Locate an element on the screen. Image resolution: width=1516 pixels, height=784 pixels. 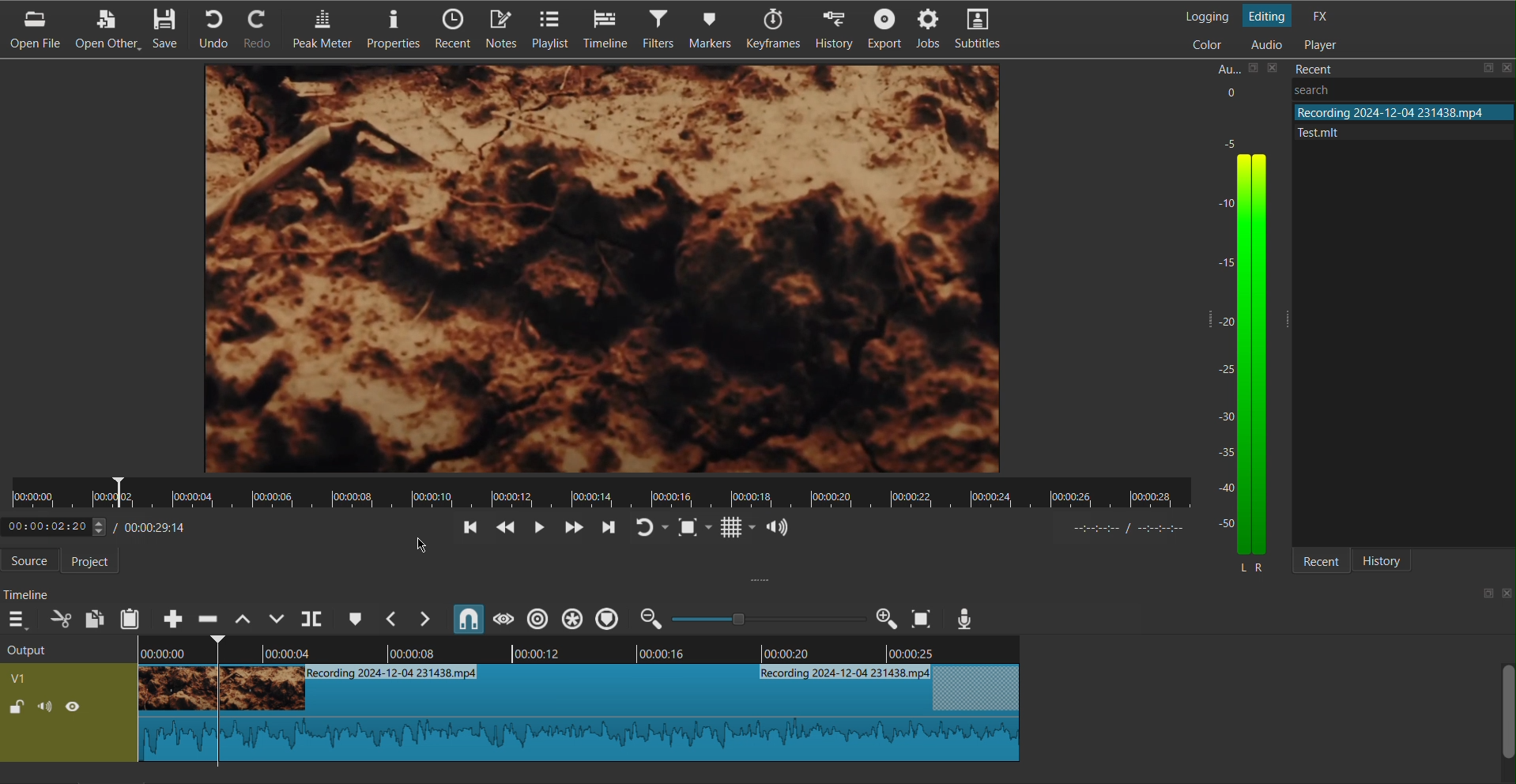
Play is located at coordinates (541, 528).